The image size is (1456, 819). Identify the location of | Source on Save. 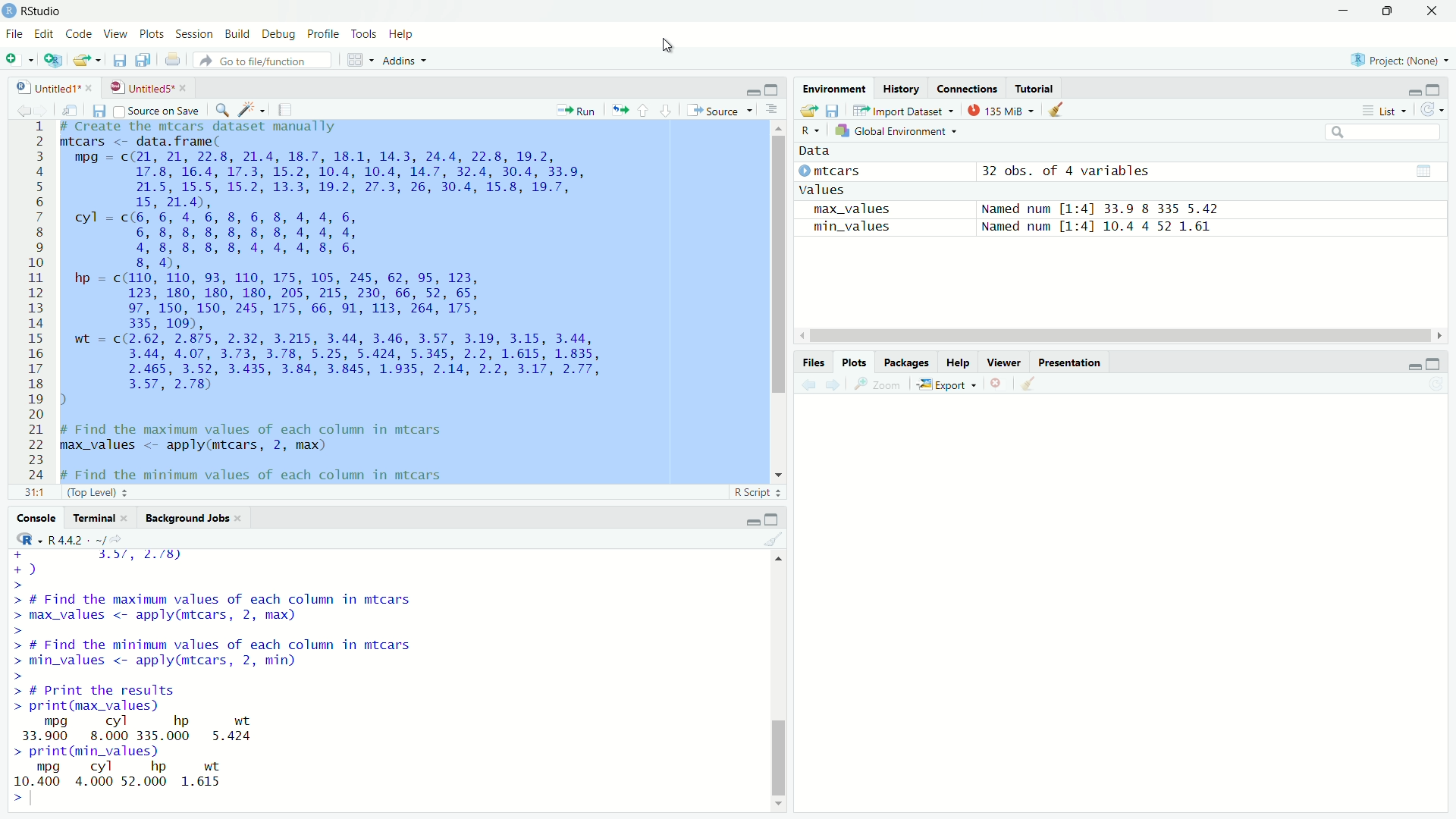
(157, 111).